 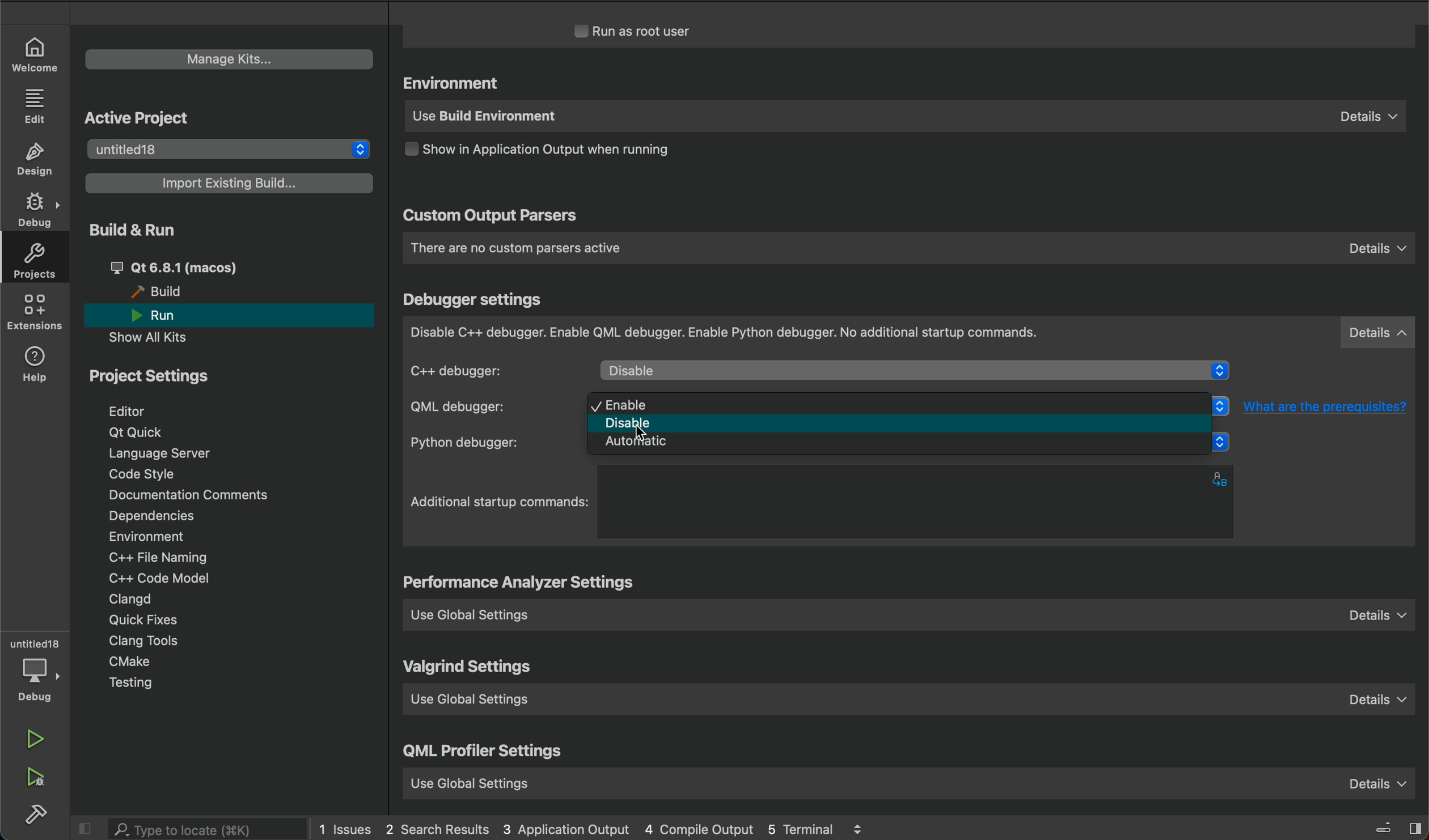 I want to click on qt, so click(x=200, y=266).